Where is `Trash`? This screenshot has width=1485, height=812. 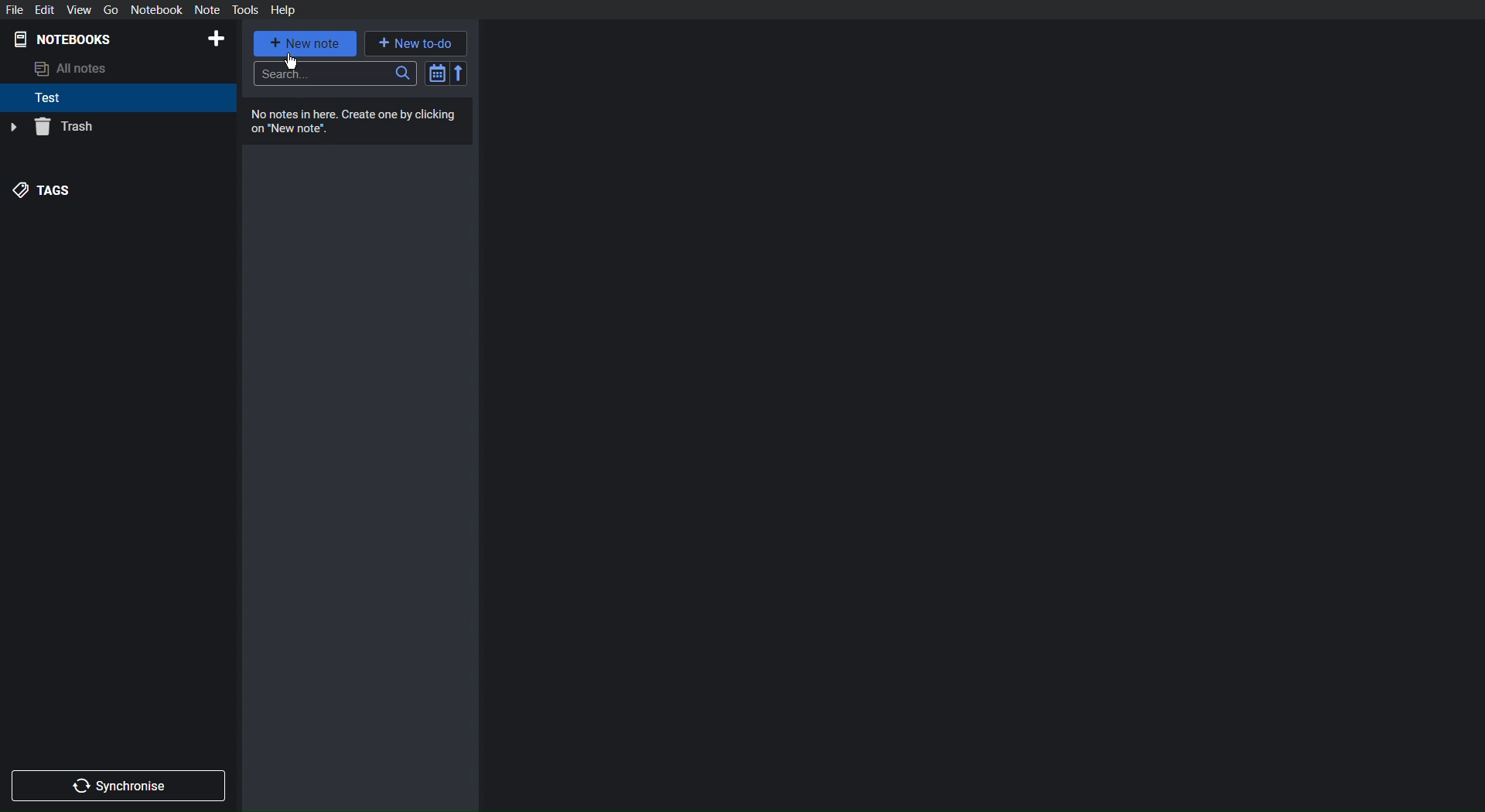
Trash is located at coordinates (51, 128).